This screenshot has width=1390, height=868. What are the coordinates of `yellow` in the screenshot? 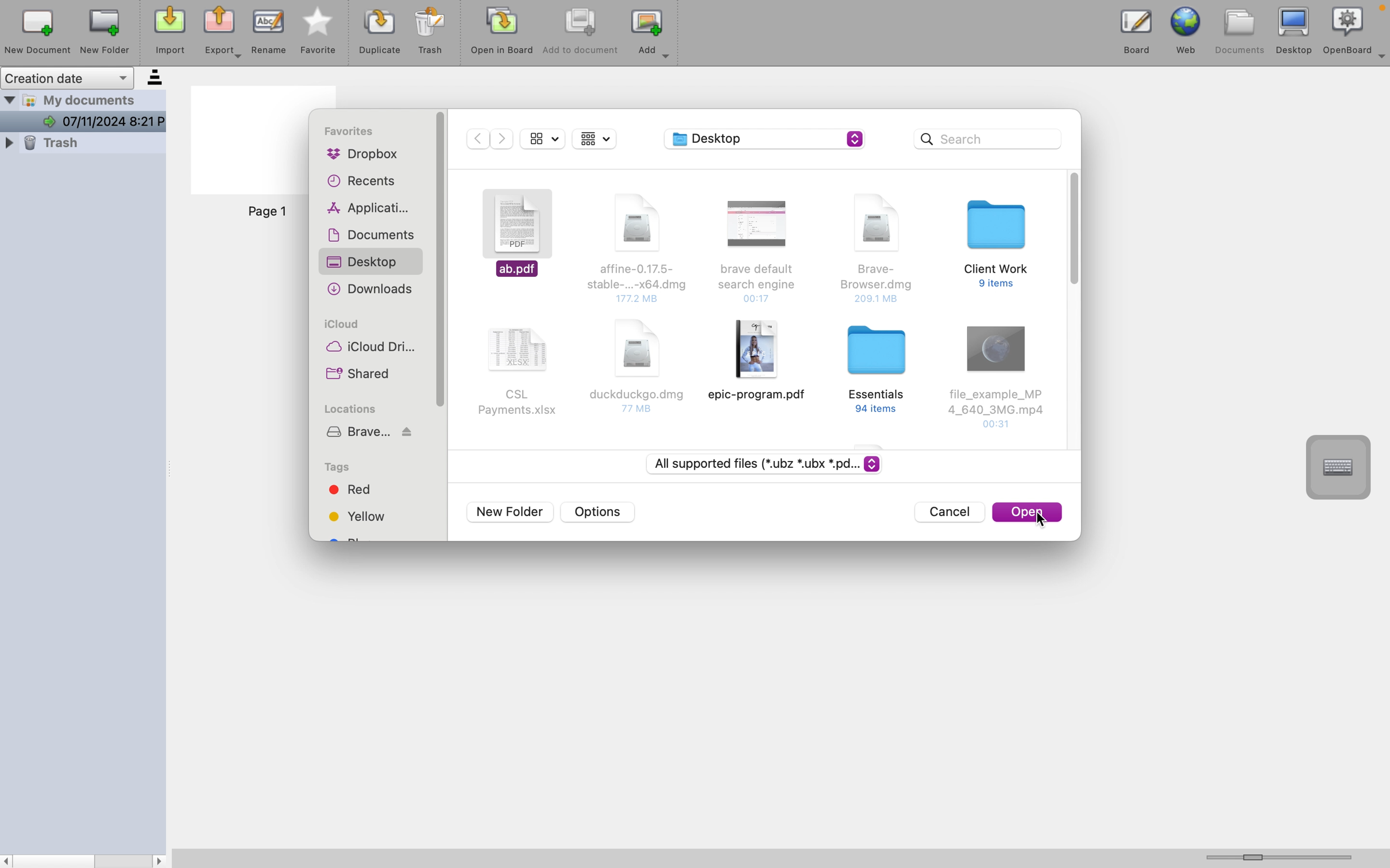 It's located at (361, 516).